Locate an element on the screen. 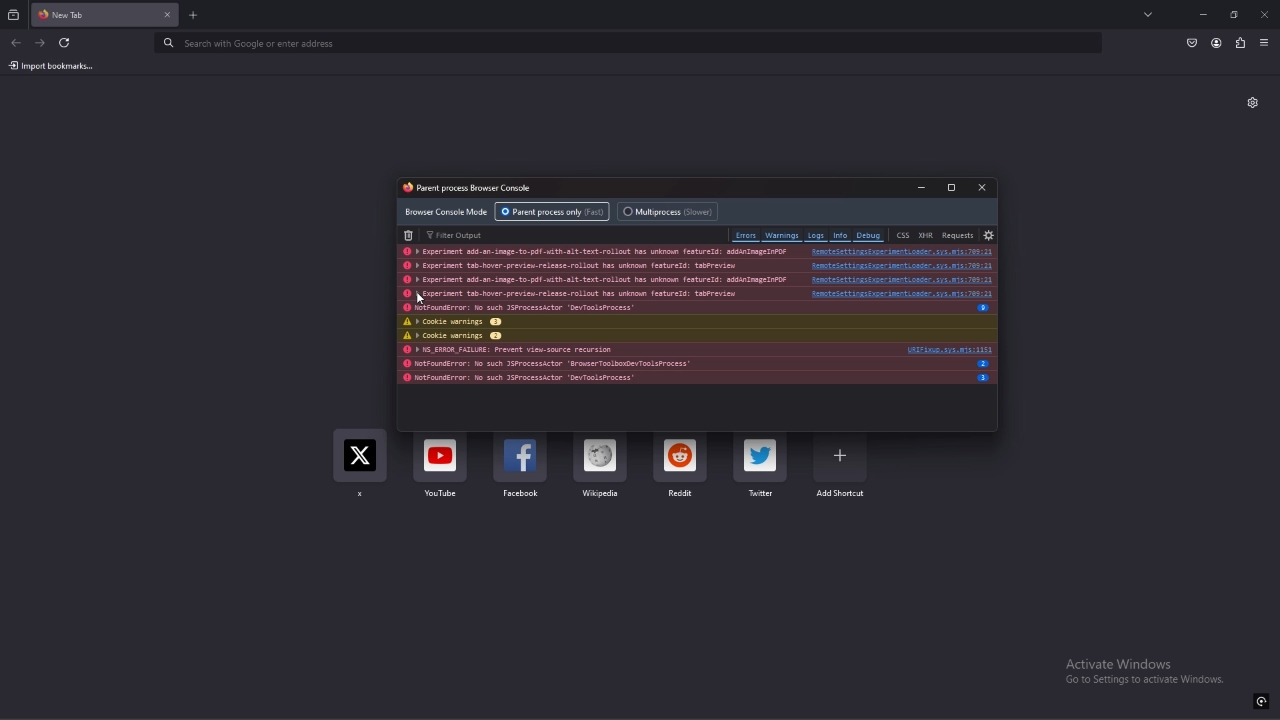  warnings is located at coordinates (783, 235).